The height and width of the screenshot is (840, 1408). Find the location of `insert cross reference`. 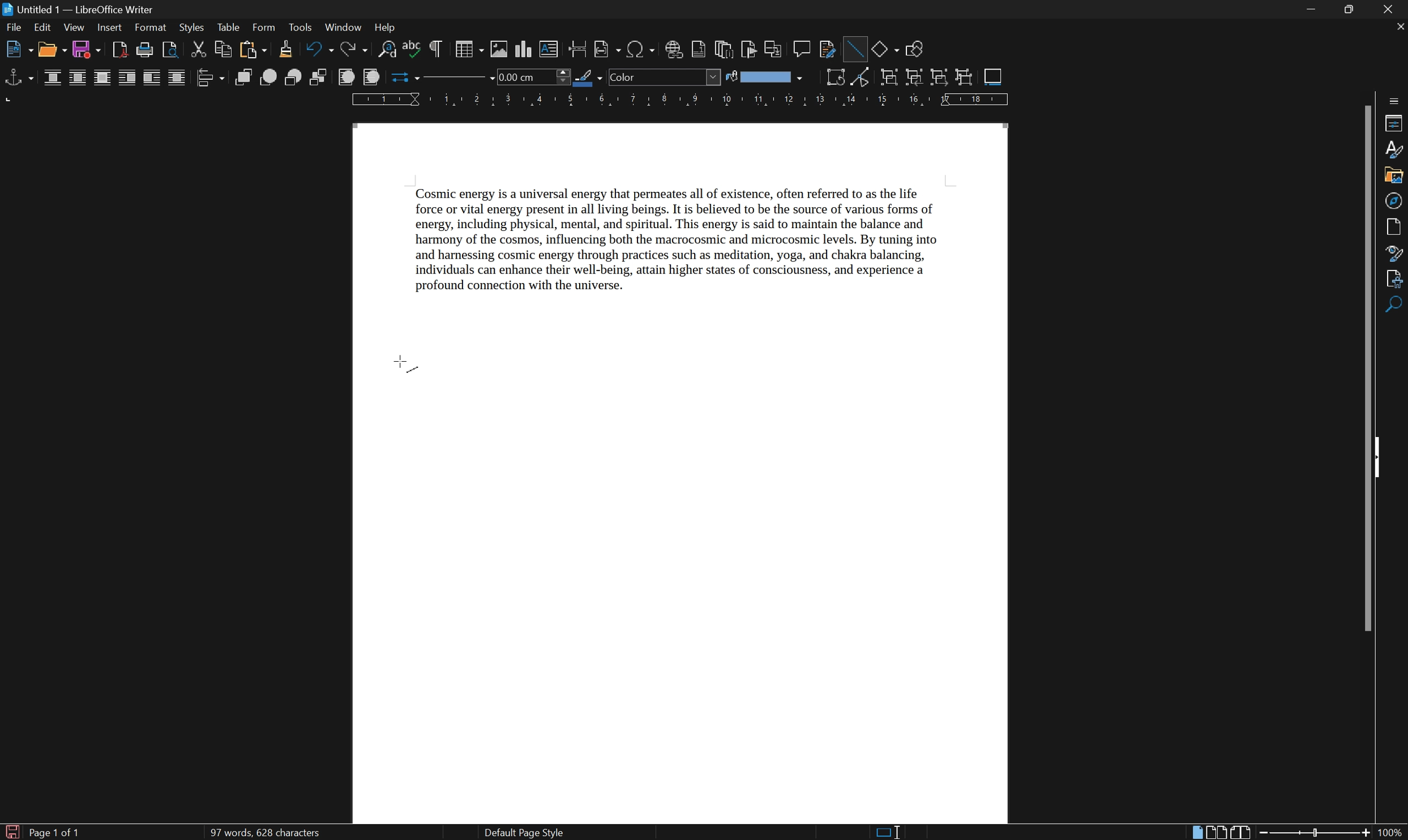

insert cross reference is located at coordinates (774, 49).